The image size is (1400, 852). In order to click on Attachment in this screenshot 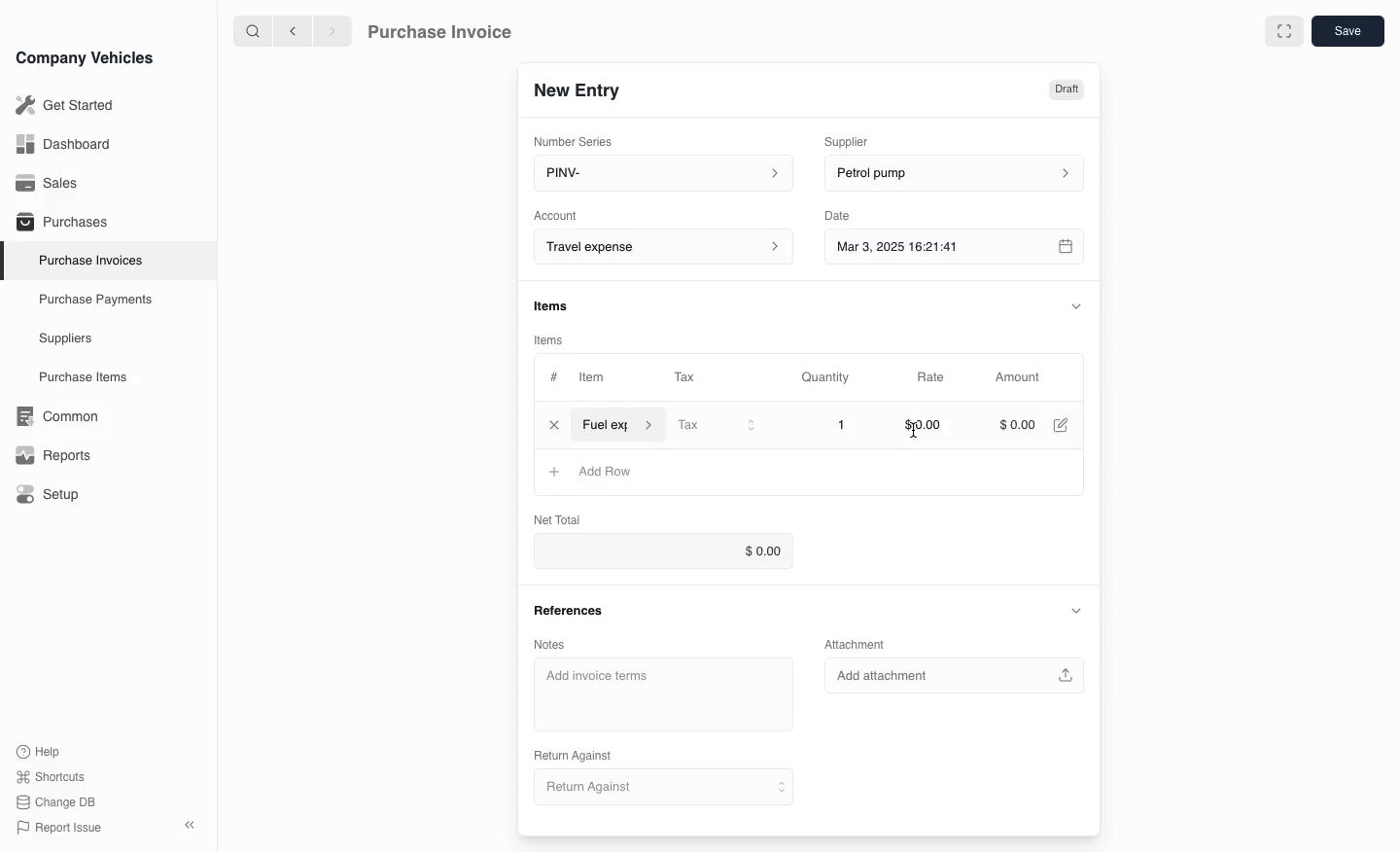, I will do `click(857, 644)`.